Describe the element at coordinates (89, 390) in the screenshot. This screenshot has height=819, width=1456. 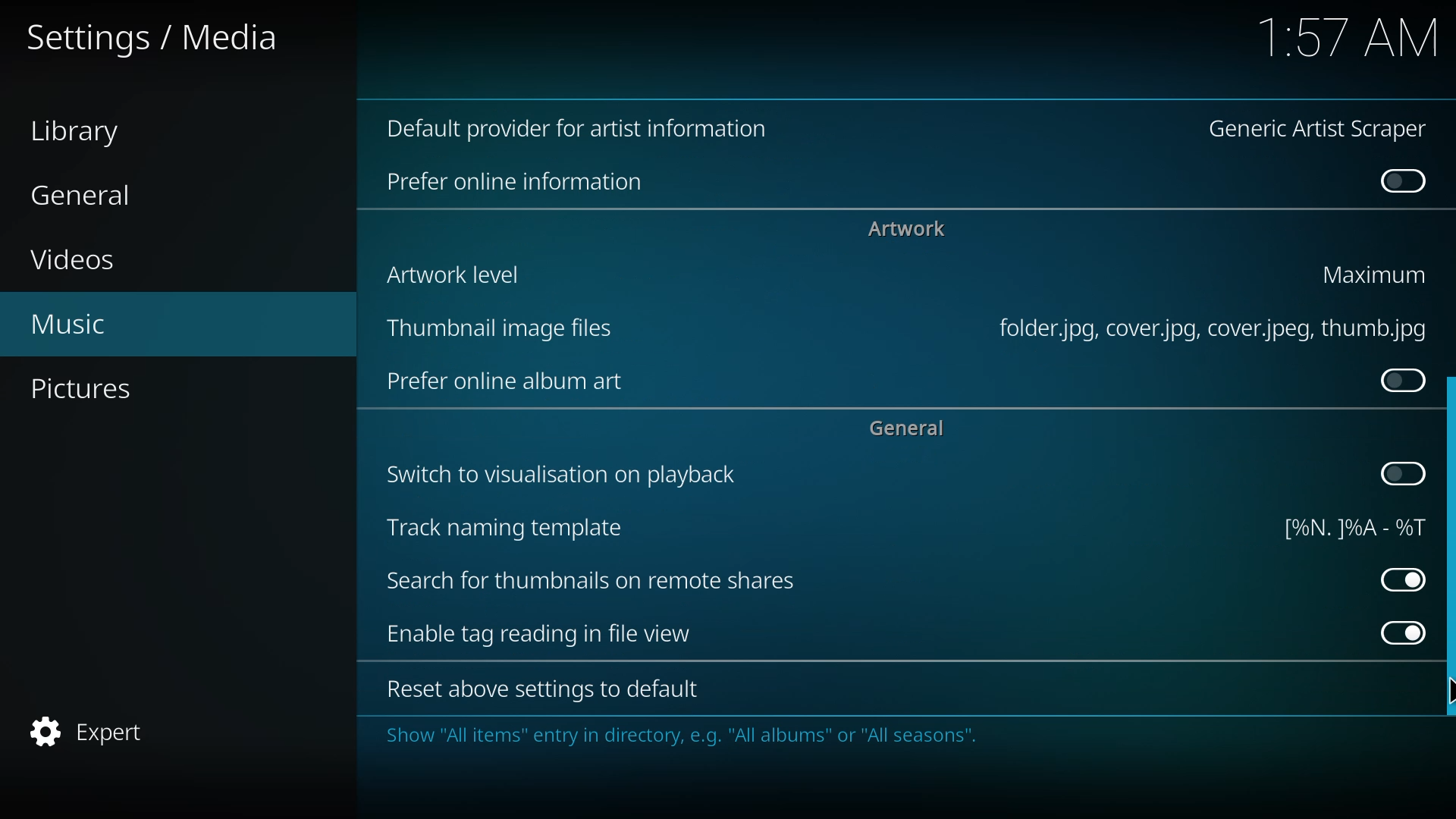
I see `pictures` at that location.